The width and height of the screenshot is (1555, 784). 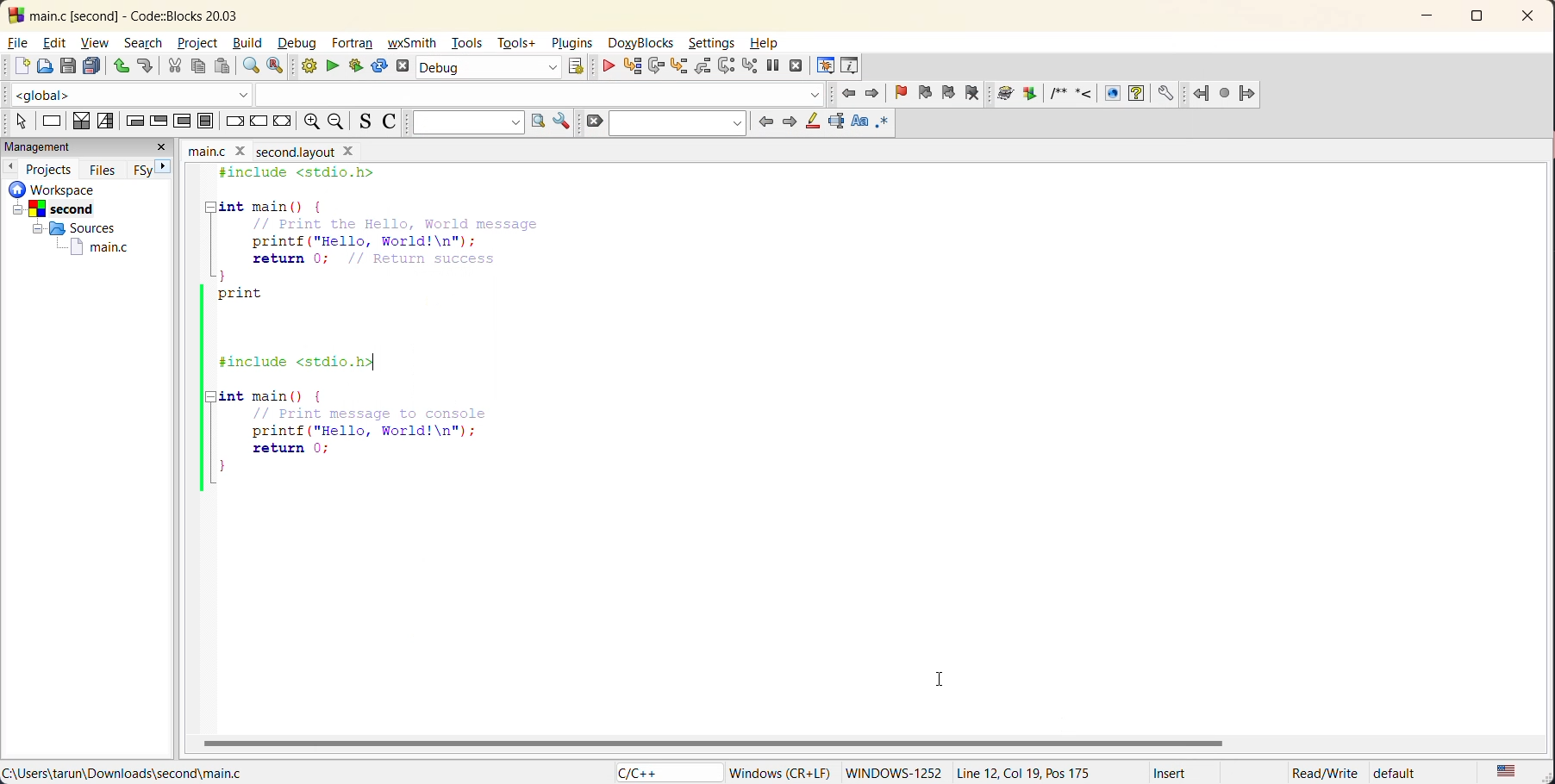 What do you see at coordinates (16, 66) in the screenshot?
I see `new` at bounding box center [16, 66].